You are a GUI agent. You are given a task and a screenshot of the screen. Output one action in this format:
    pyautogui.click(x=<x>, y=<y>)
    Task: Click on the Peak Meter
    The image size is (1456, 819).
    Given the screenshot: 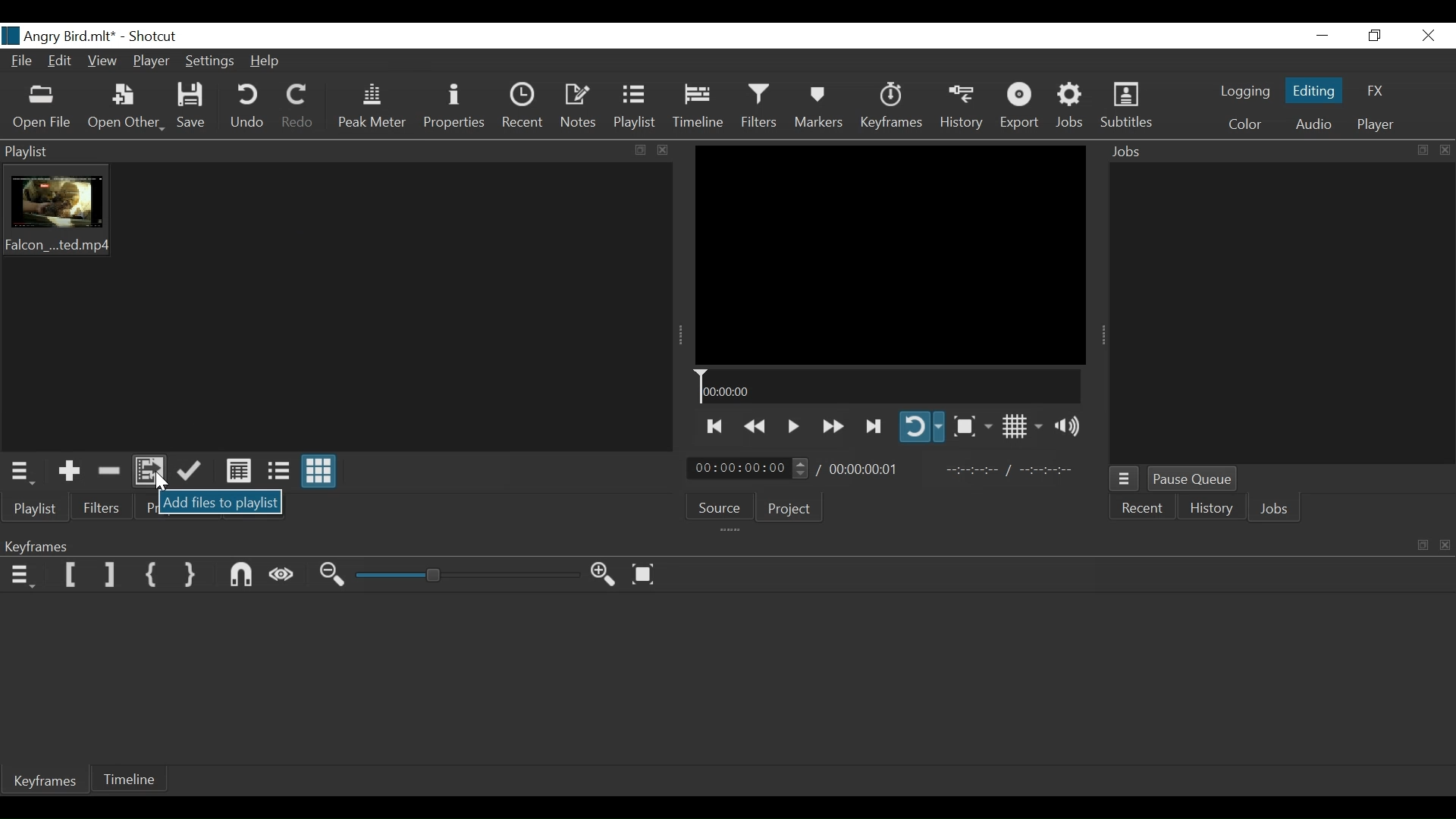 What is the action you would take?
    pyautogui.click(x=375, y=108)
    